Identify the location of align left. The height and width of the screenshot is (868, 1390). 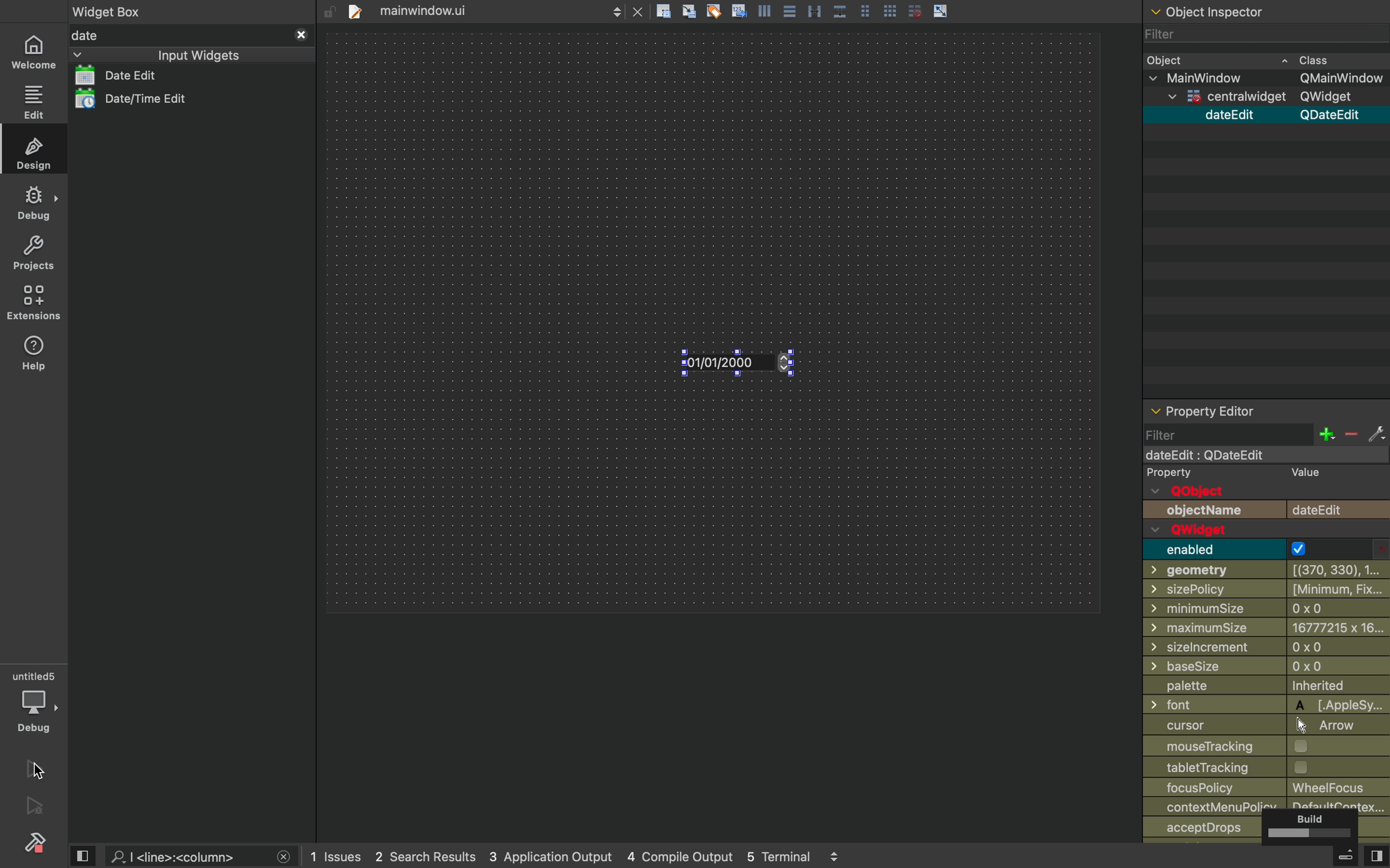
(763, 10).